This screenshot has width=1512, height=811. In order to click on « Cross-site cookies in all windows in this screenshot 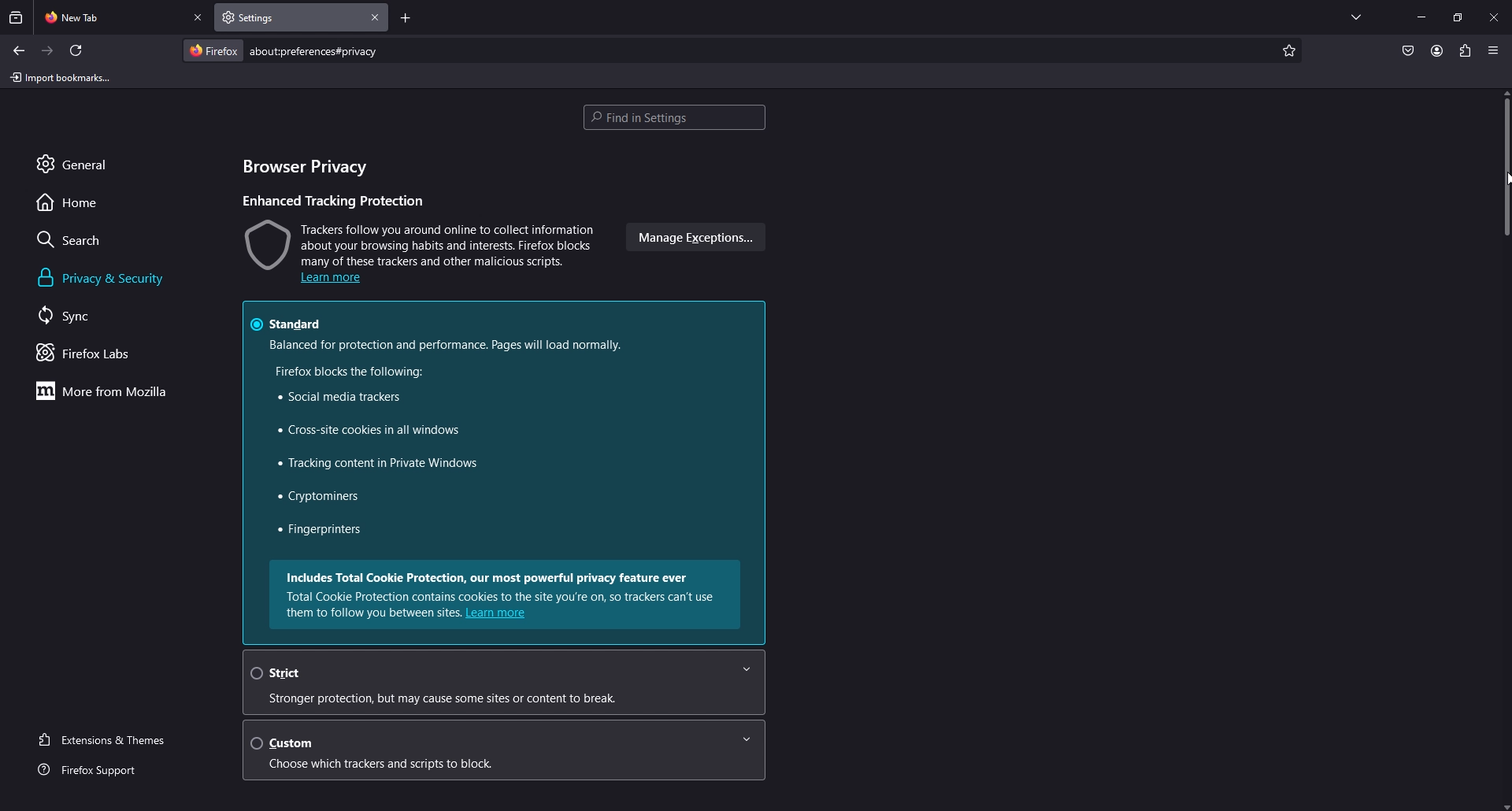, I will do `click(363, 431)`.